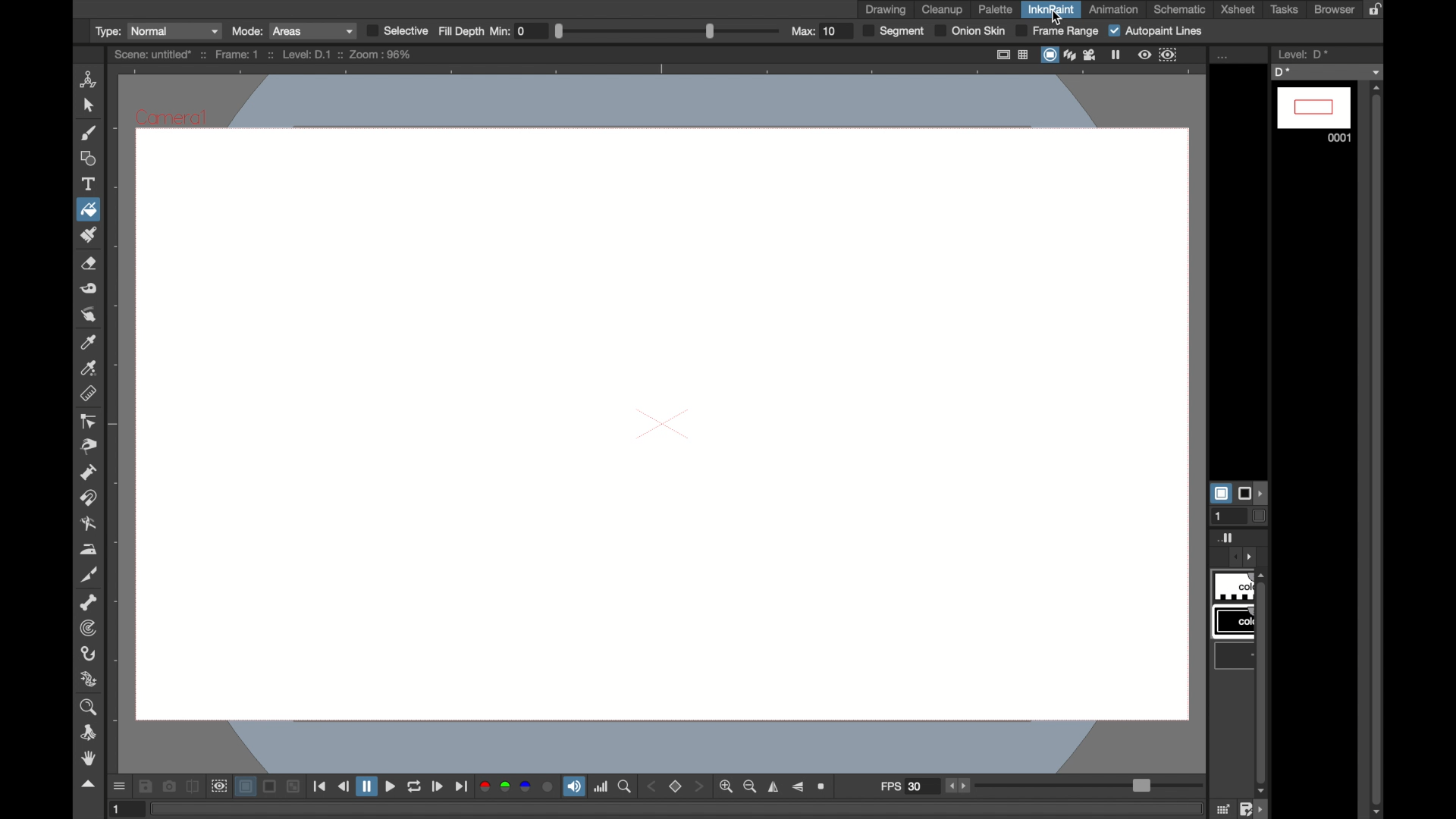 The width and height of the screenshot is (1456, 819). What do you see at coordinates (156, 30) in the screenshot?
I see `type` at bounding box center [156, 30].